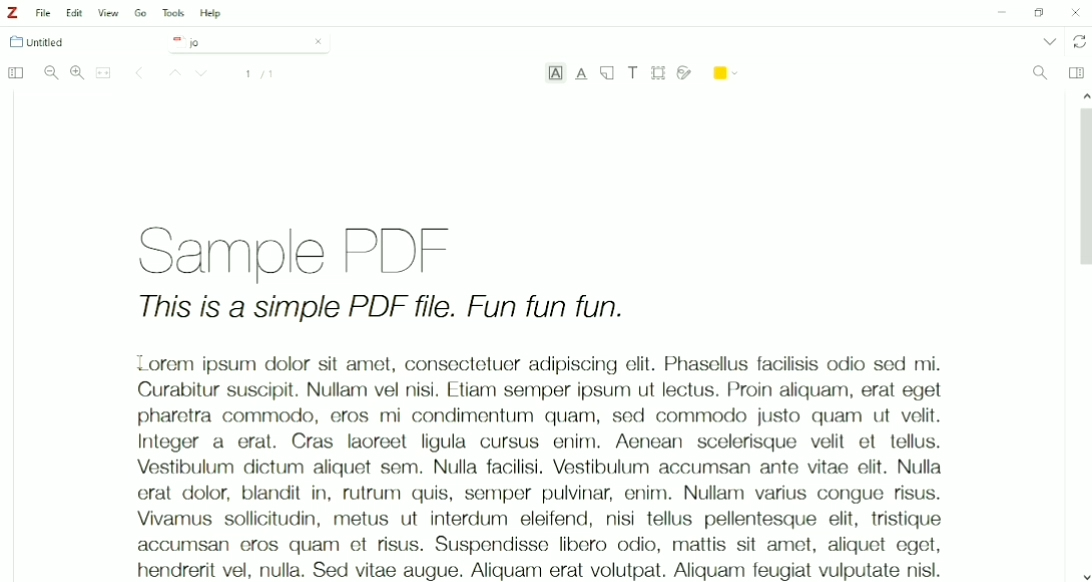 The width and height of the screenshot is (1092, 582). I want to click on jo, so click(234, 43).